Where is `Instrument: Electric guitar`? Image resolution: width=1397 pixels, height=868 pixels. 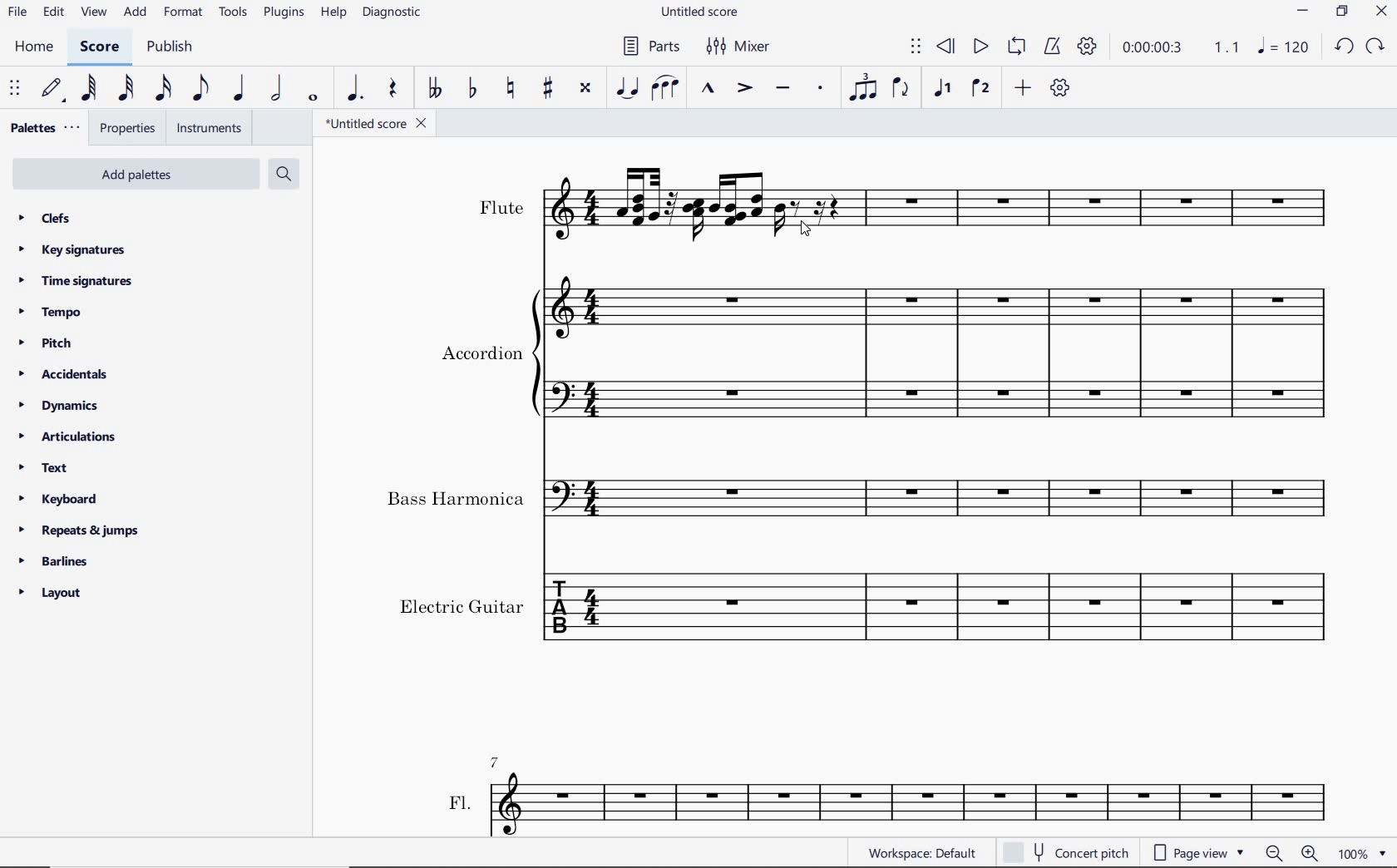
Instrument: Electric guitar is located at coordinates (945, 611).